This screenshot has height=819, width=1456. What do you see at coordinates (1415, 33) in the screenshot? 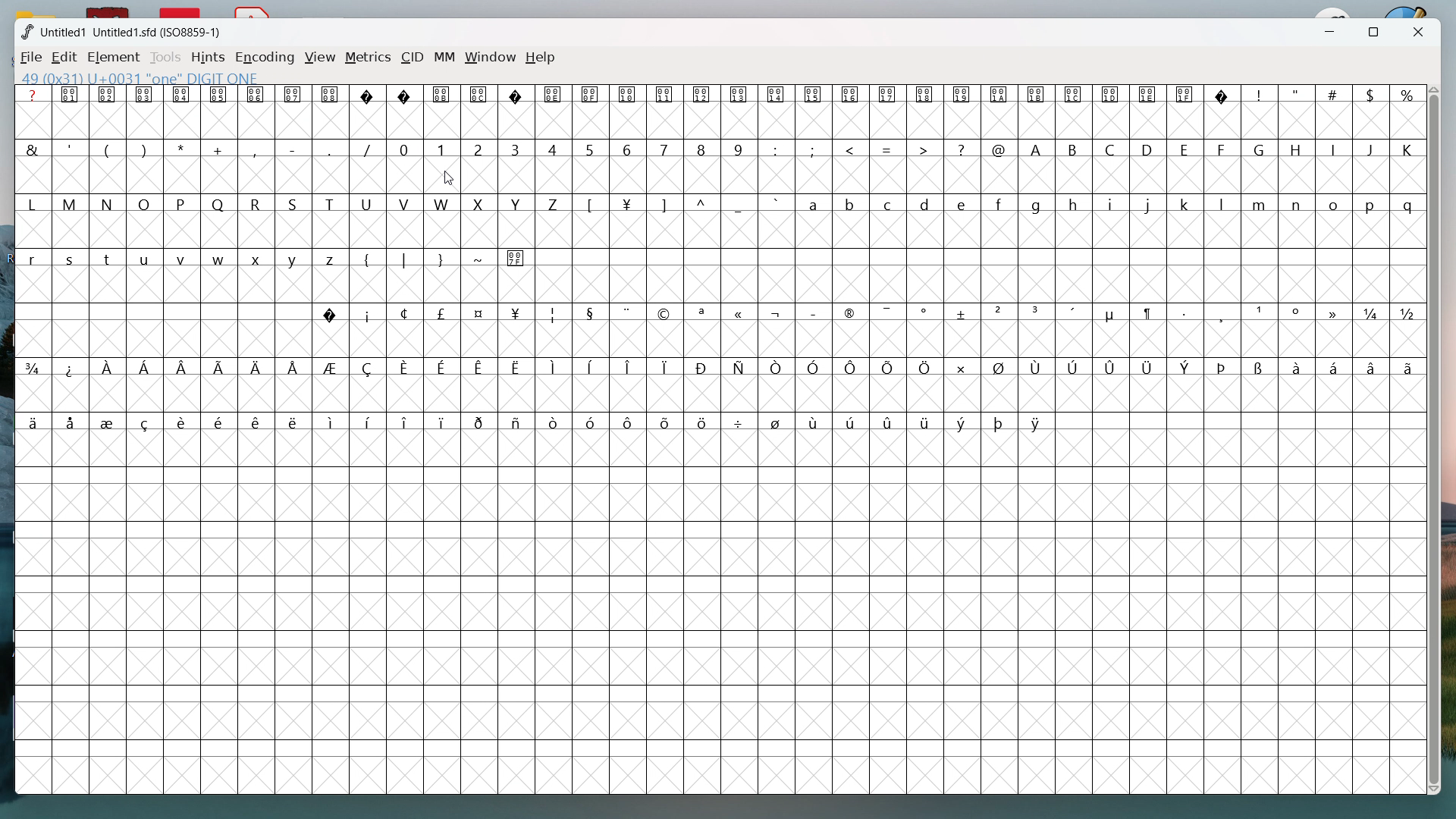
I see `close` at bounding box center [1415, 33].